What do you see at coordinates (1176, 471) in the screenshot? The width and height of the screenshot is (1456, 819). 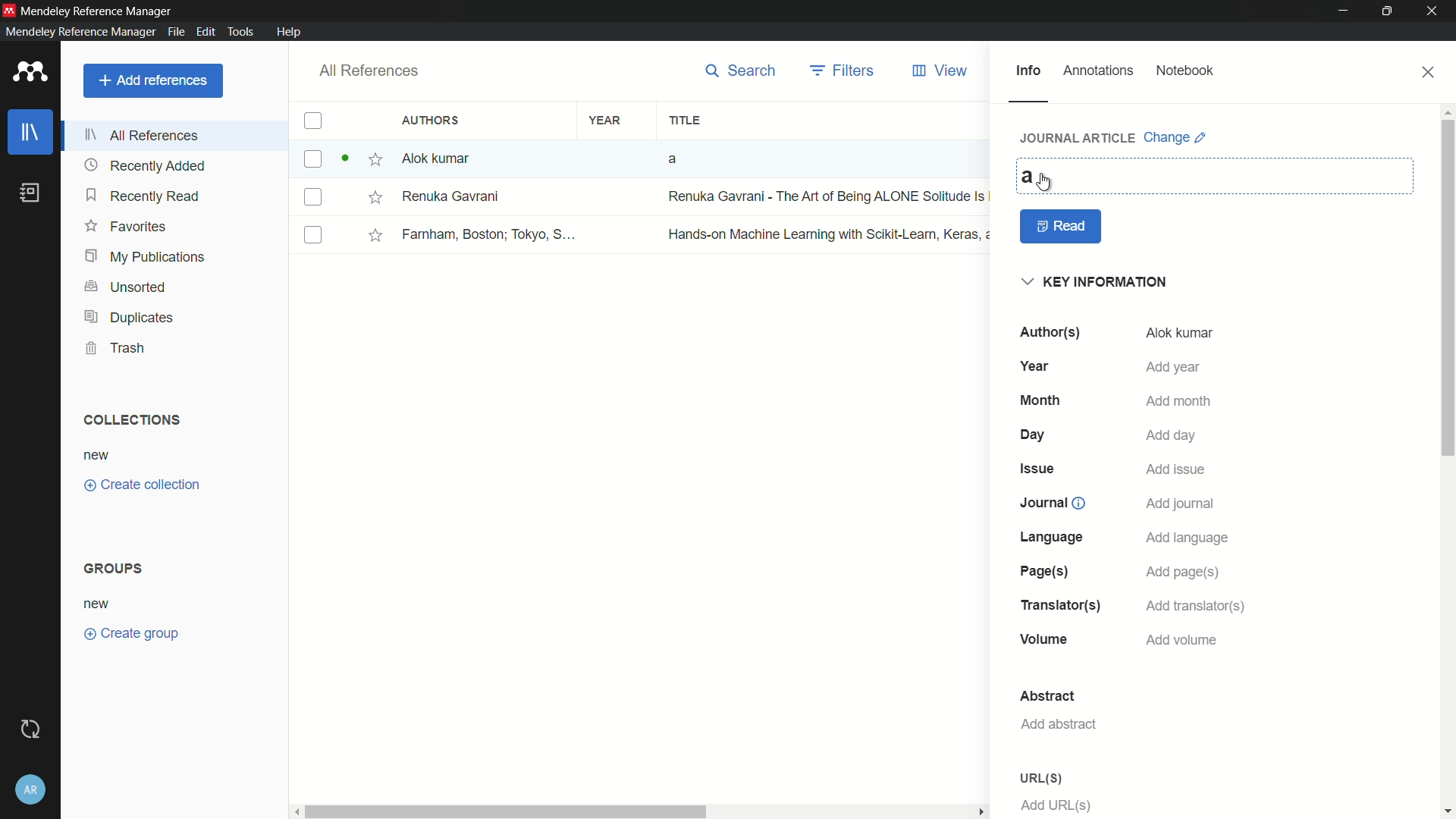 I see `add issue` at bounding box center [1176, 471].